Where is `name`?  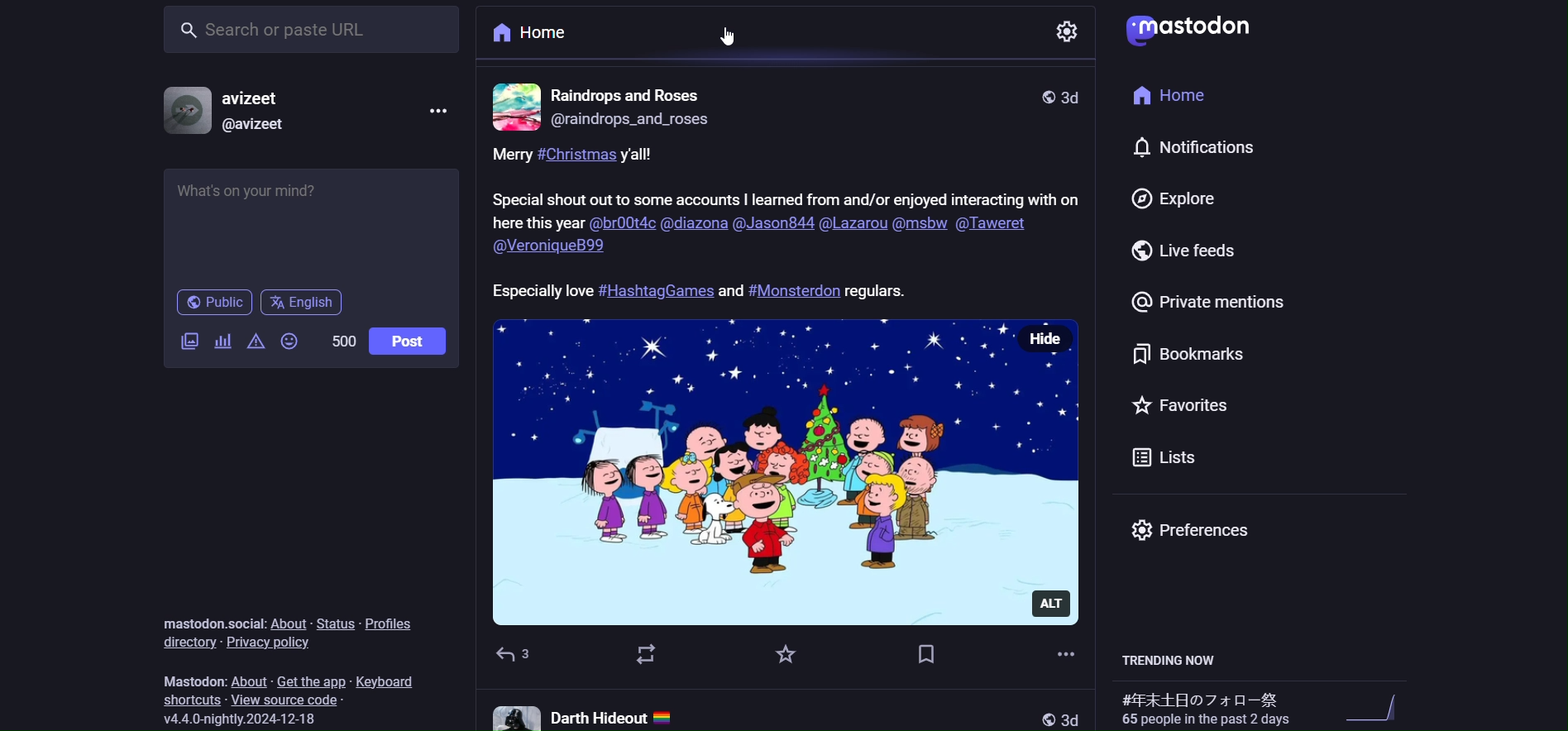 name is located at coordinates (632, 94).